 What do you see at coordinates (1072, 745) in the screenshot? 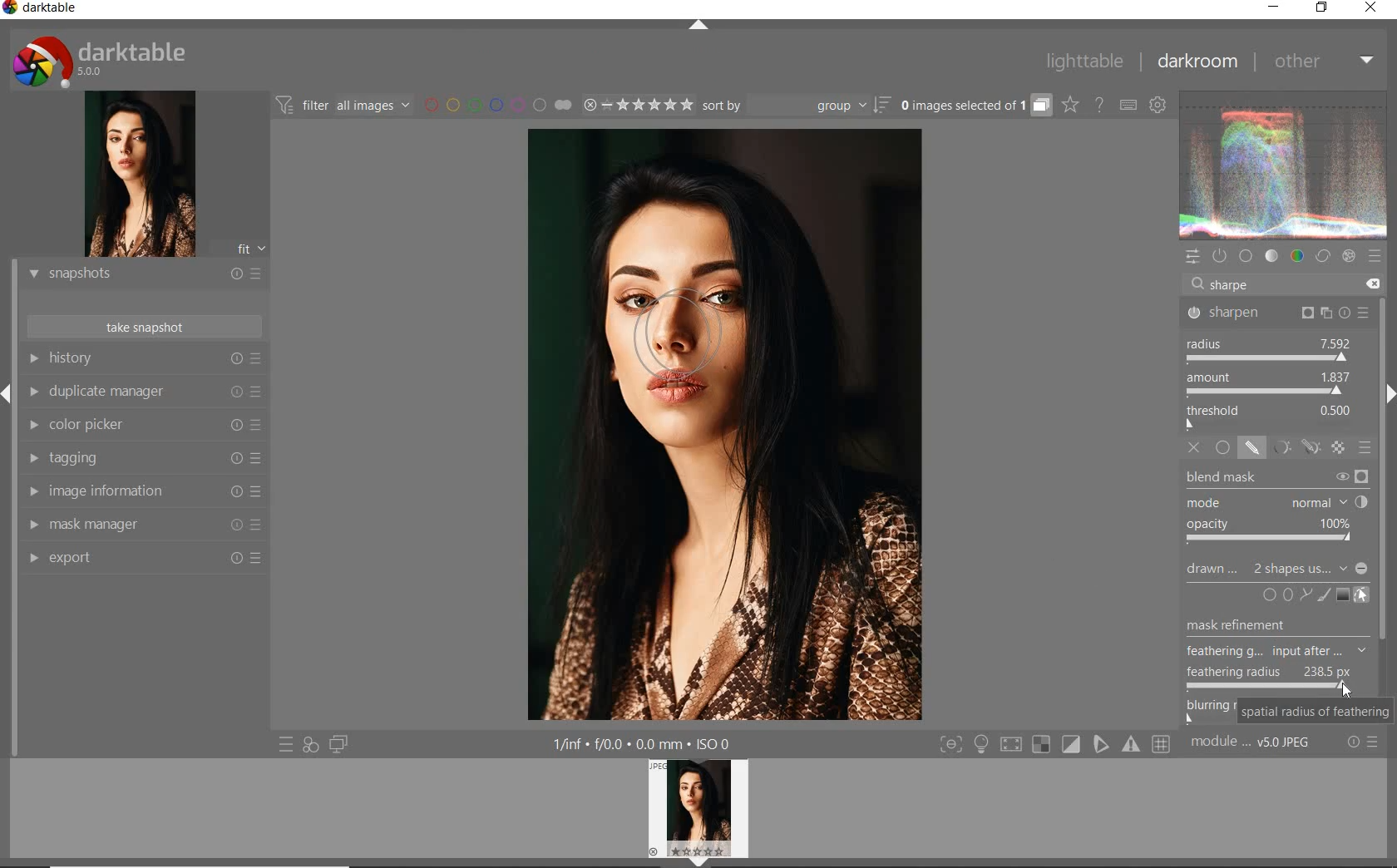
I see `sign ` at bounding box center [1072, 745].